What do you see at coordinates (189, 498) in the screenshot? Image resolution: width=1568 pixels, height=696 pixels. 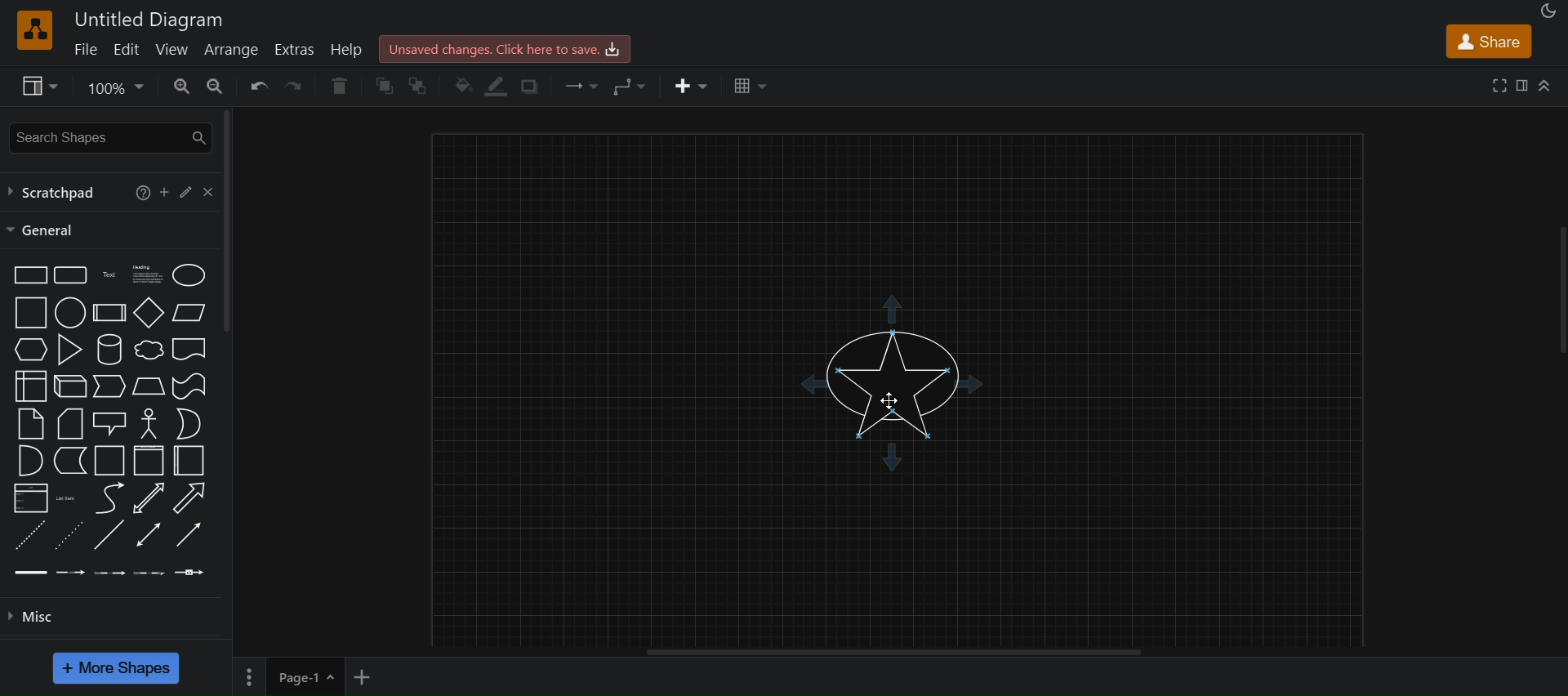 I see `arrow` at bounding box center [189, 498].